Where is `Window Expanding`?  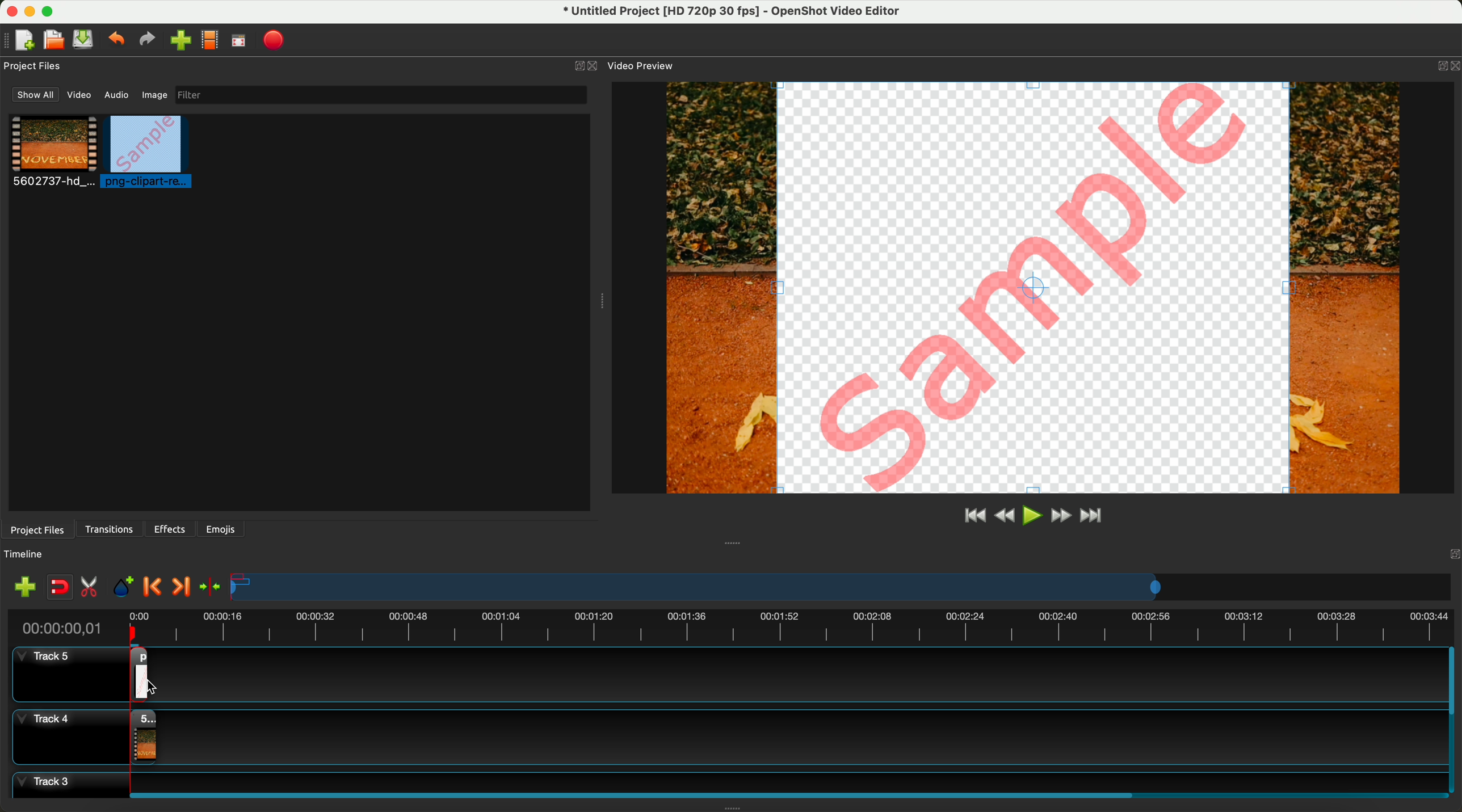
Window Expanding is located at coordinates (733, 542).